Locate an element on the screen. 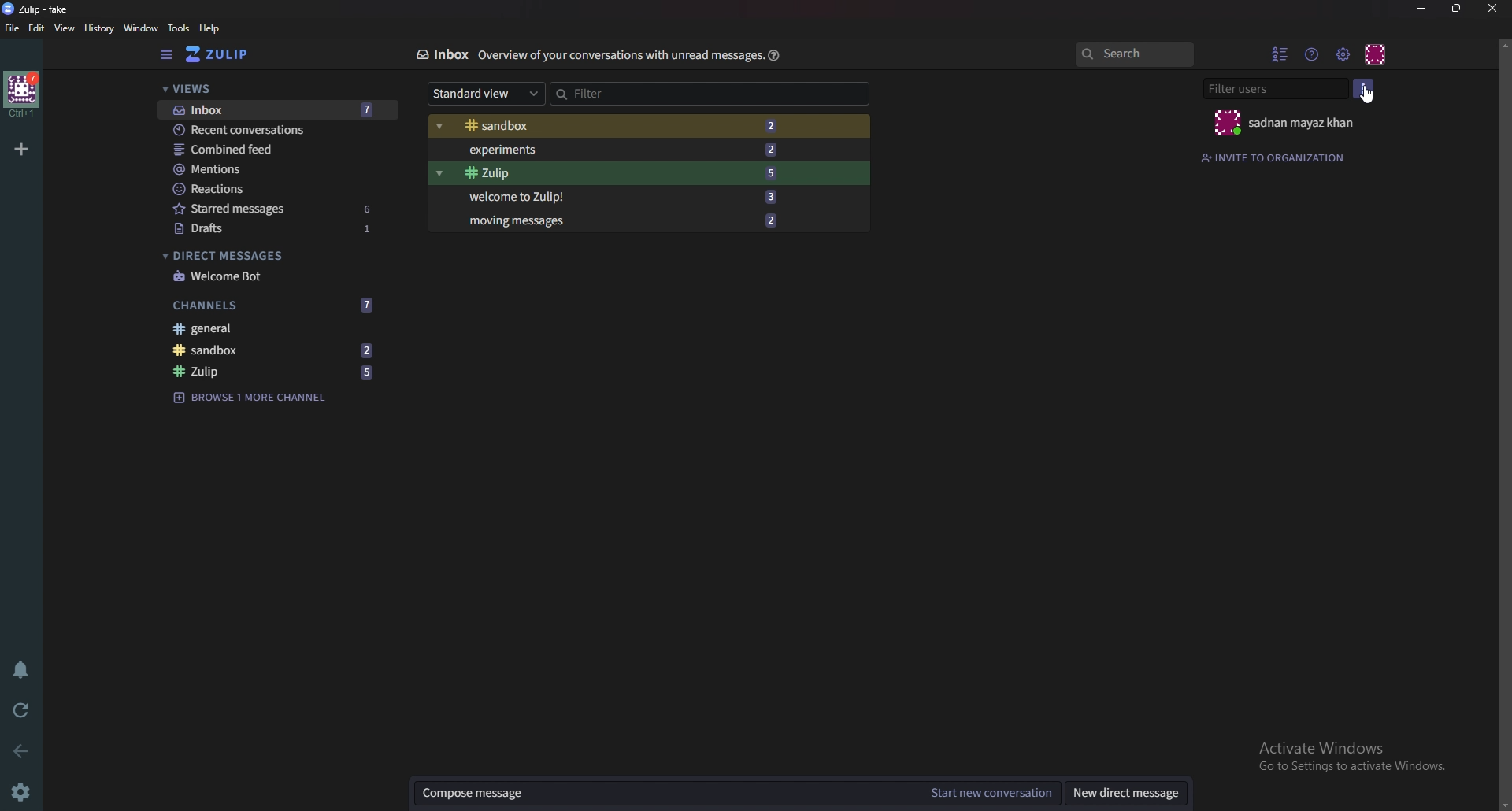 This screenshot has height=811, width=1512. History is located at coordinates (98, 29).